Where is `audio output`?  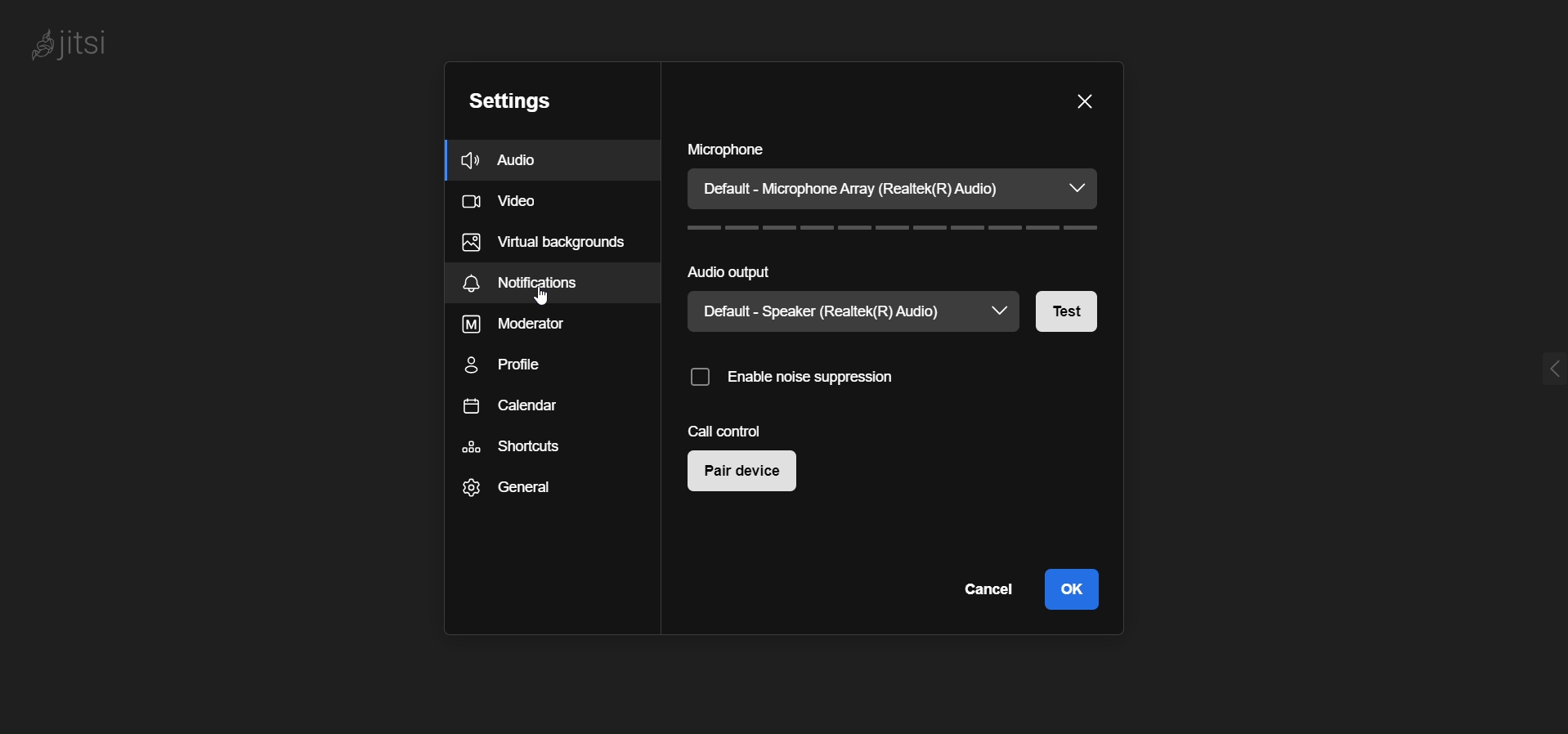 audio output is located at coordinates (744, 271).